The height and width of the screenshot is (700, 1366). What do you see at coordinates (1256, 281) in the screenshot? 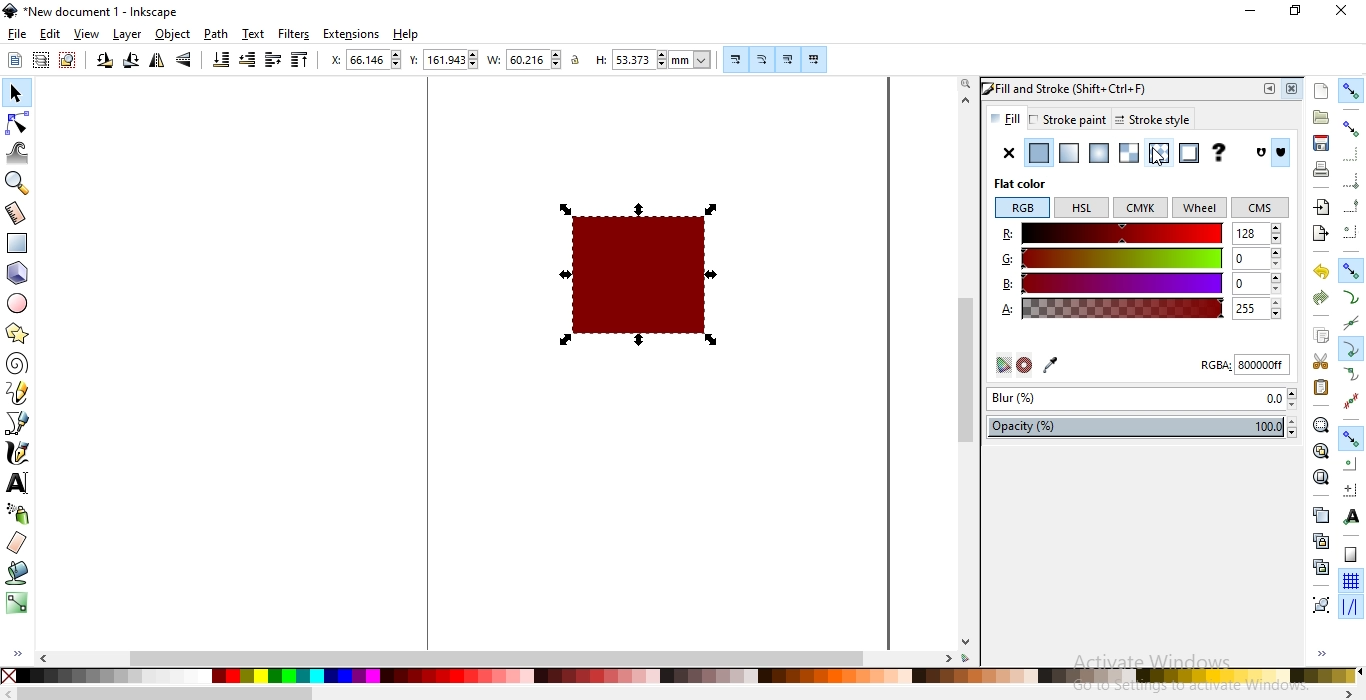
I see `B50` at bounding box center [1256, 281].